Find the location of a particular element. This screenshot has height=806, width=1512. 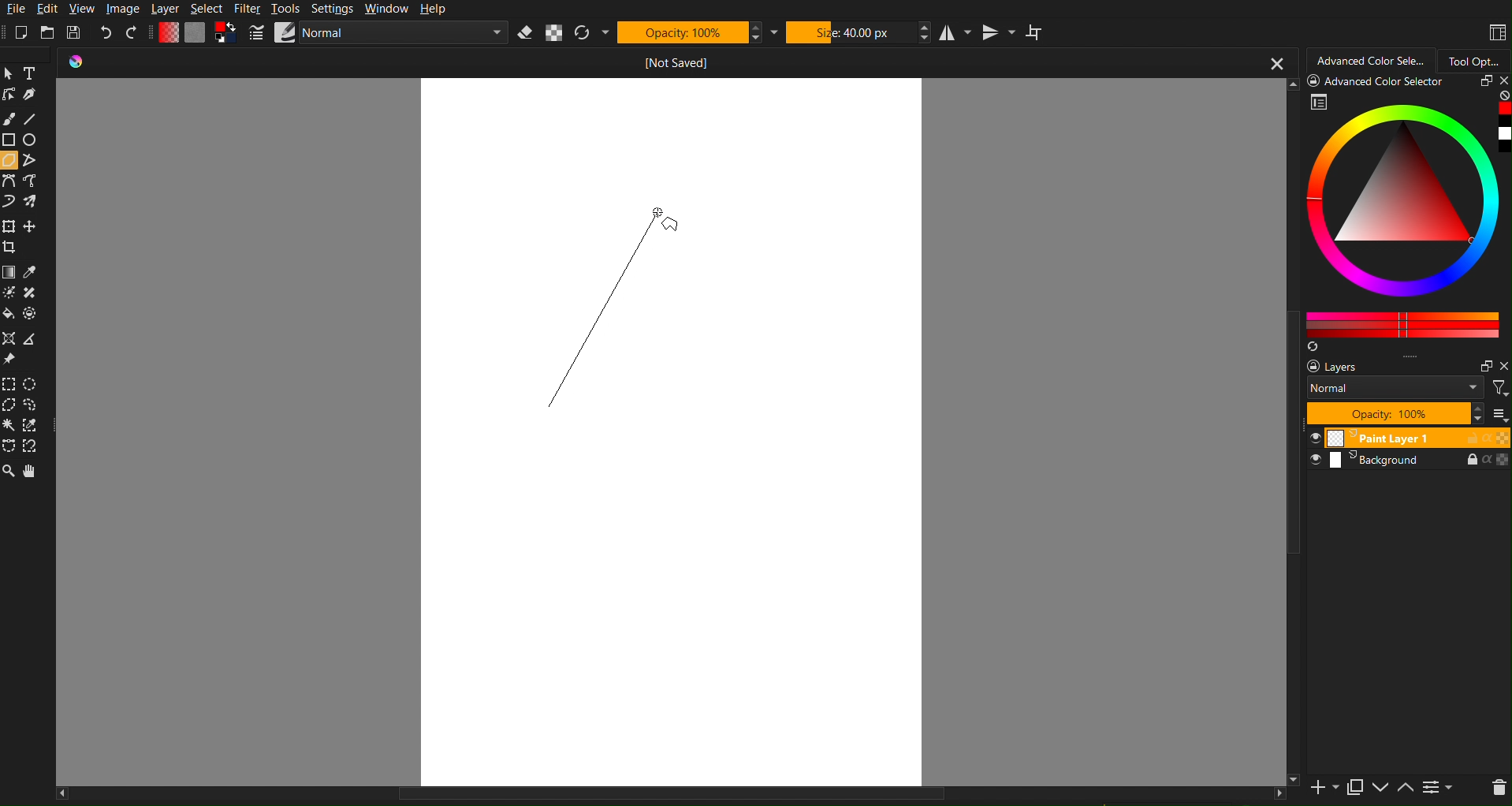

elliptical Selection Tools is located at coordinates (33, 382).